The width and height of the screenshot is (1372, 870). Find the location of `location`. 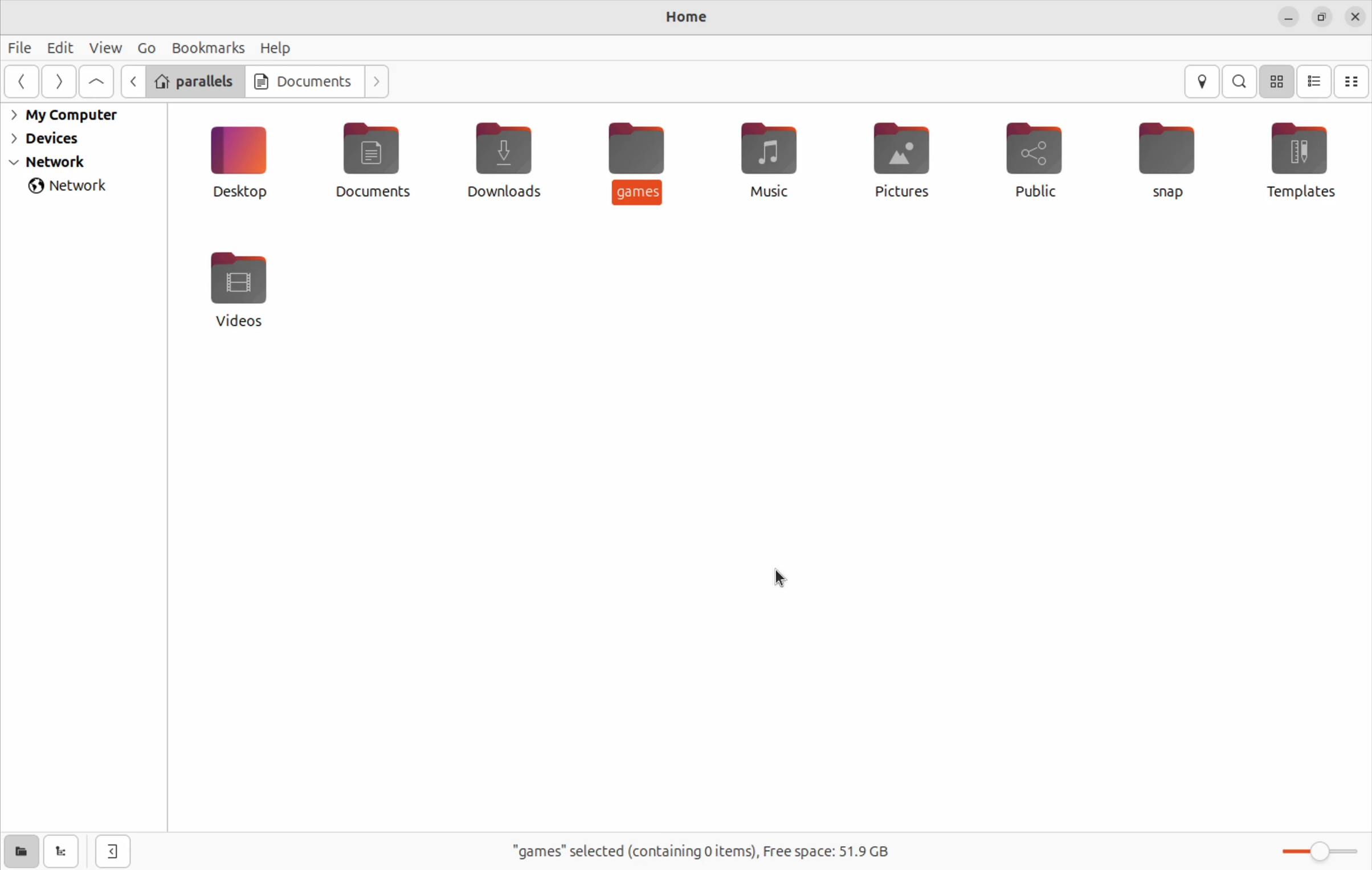

location is located at coordinates (1202, 82).